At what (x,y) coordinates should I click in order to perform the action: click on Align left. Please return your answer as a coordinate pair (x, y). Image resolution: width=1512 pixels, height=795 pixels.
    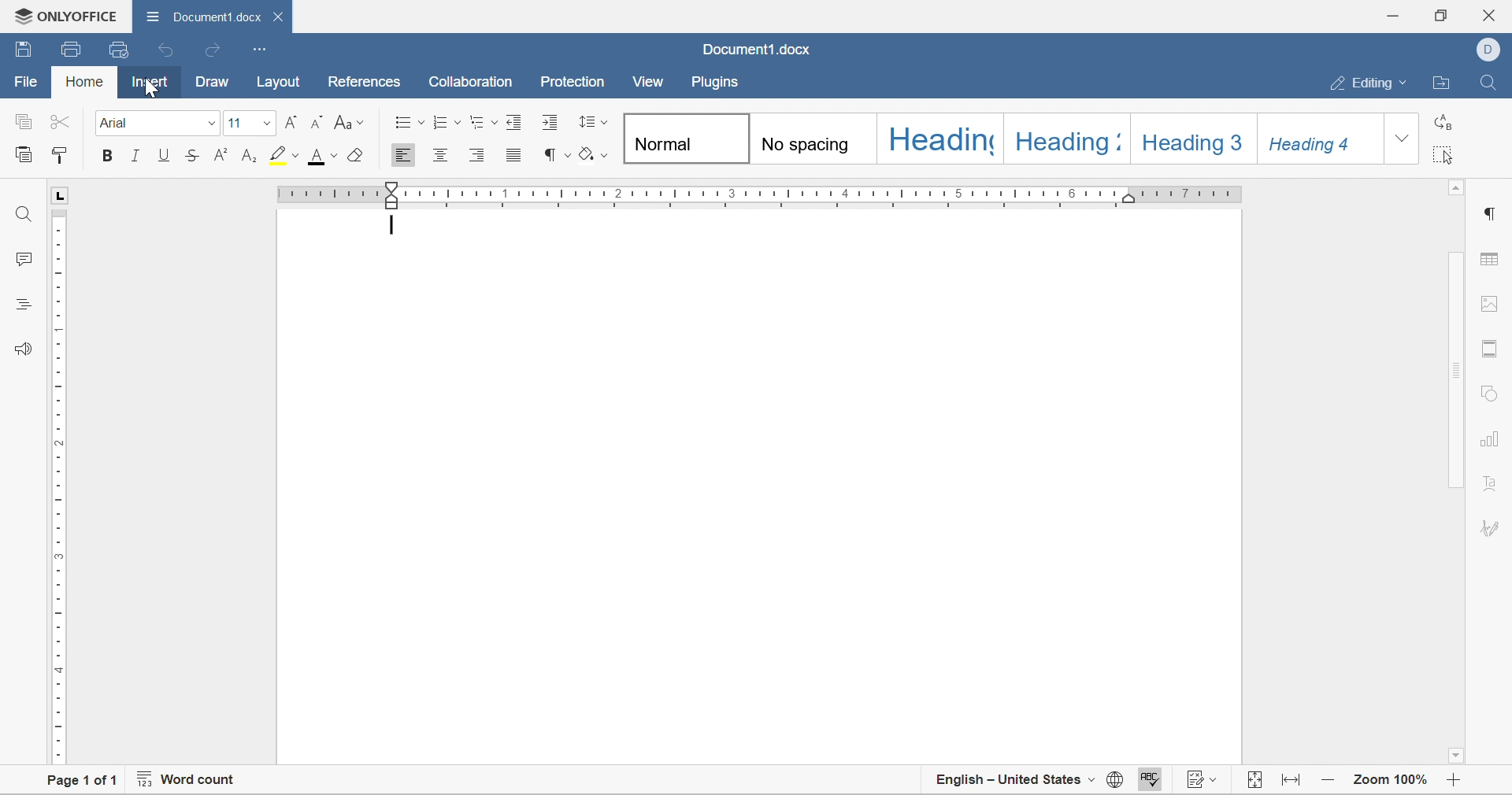
    Looking at the image, I should click on (479, 153).